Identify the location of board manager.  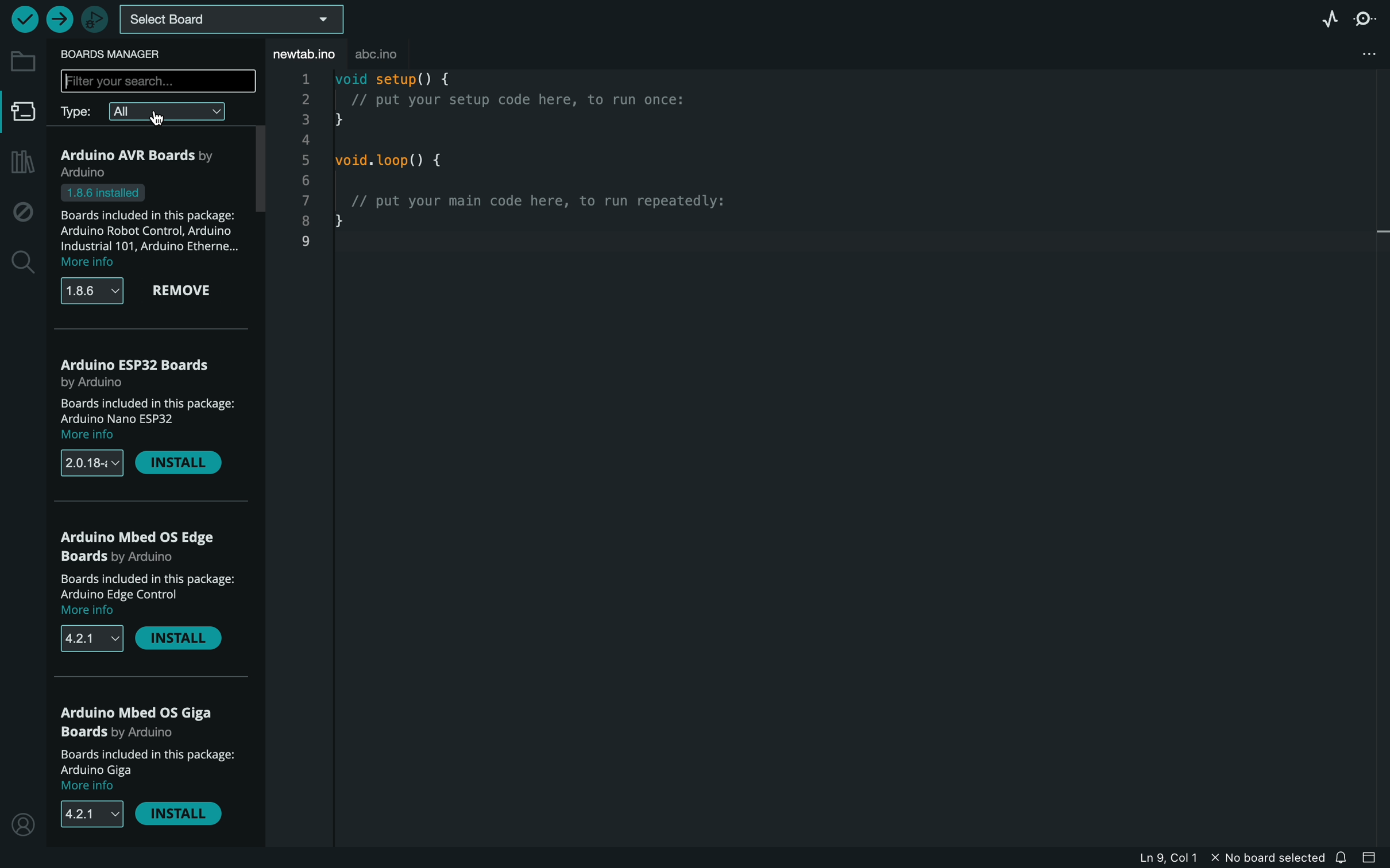
(20, 113).